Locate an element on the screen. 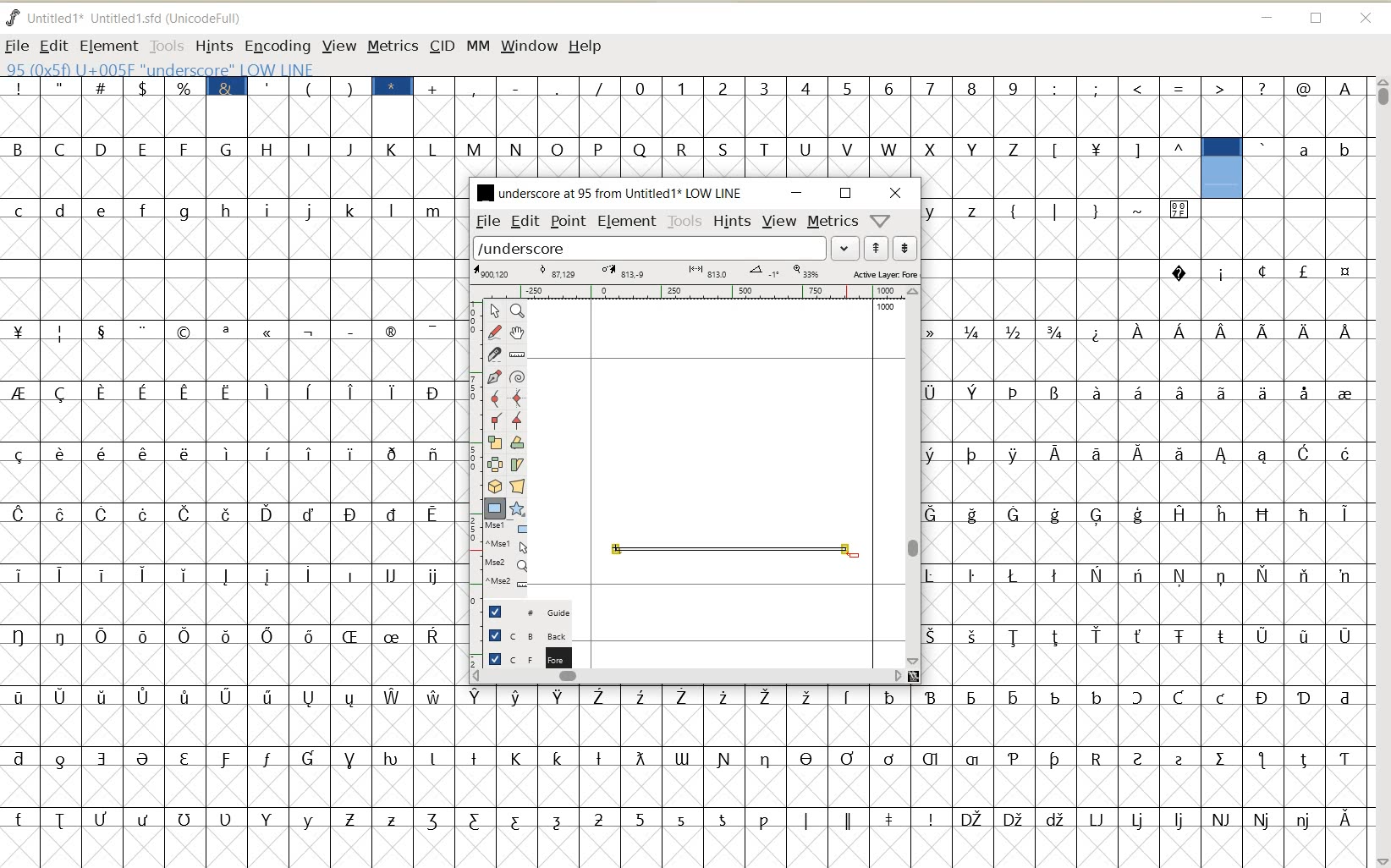 Image resolution: width=1391 pixels, height=868 pixels. perform a perspective transformation on the selection is located at coordinates (517, 486).